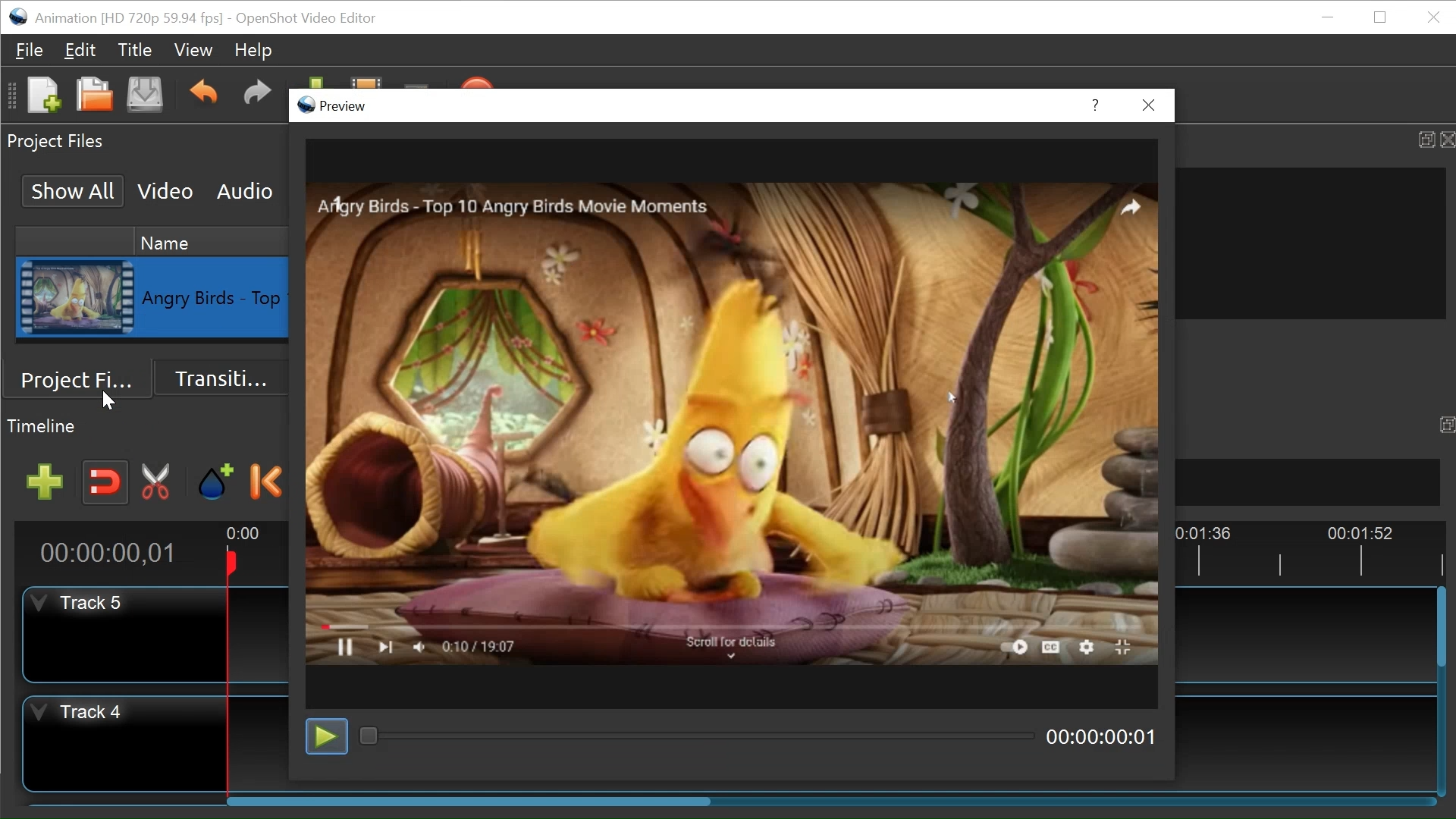 This screenshot has height=819, width=1456. I want to click on cursor, so click(114, 400).